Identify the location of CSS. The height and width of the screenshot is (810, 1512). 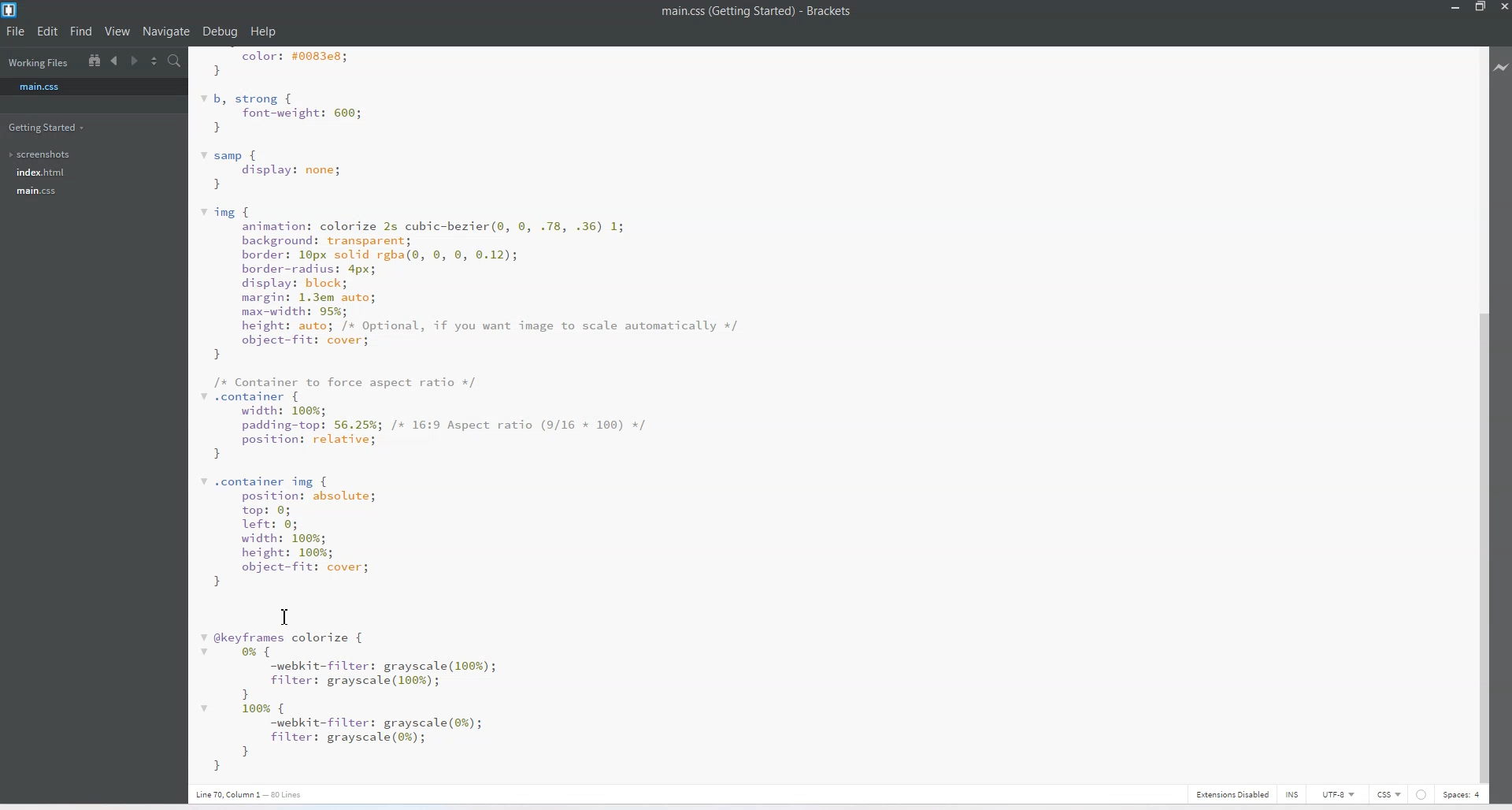
(1389, 793).